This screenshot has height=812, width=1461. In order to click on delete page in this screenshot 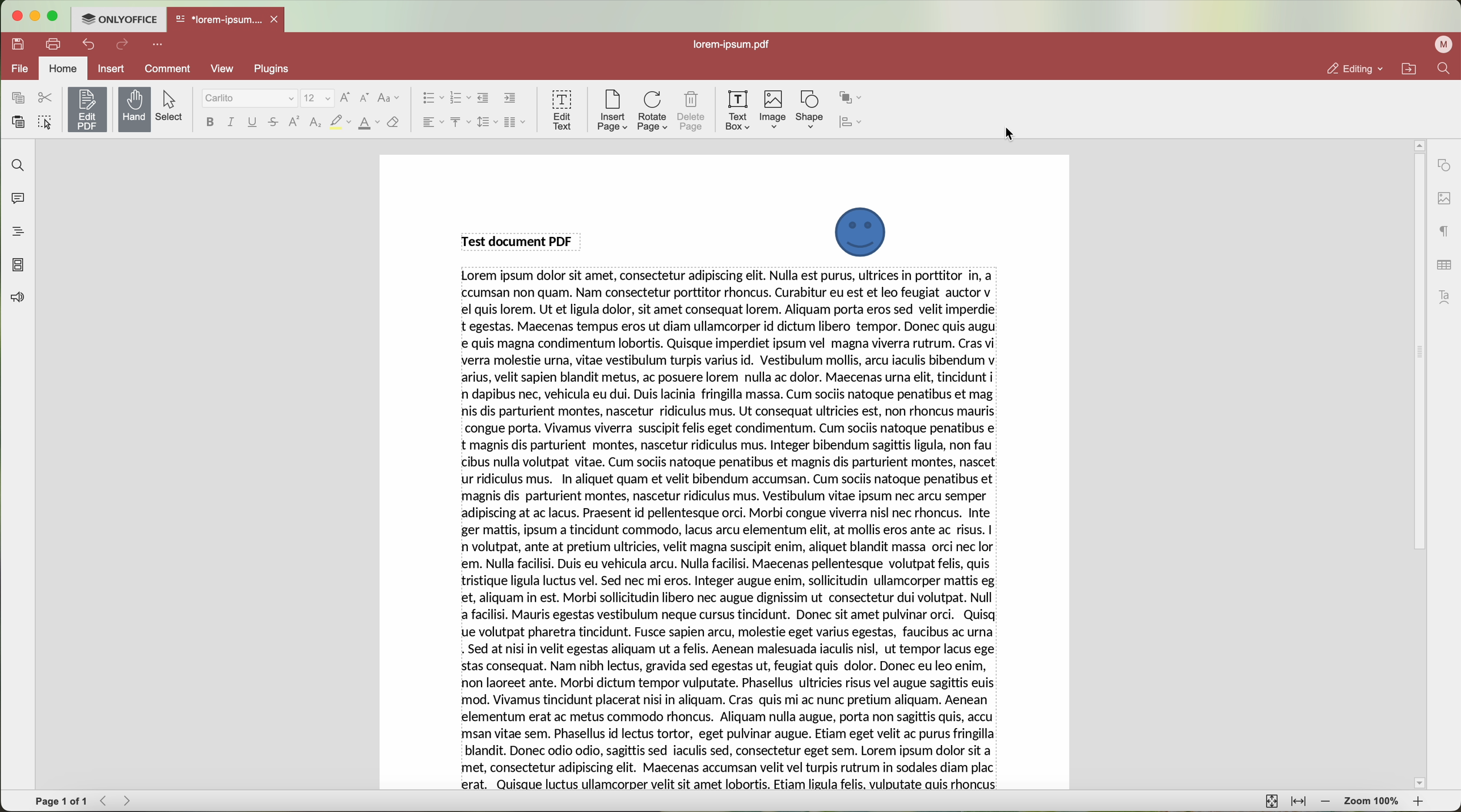, I will do `click(693, 111)`.